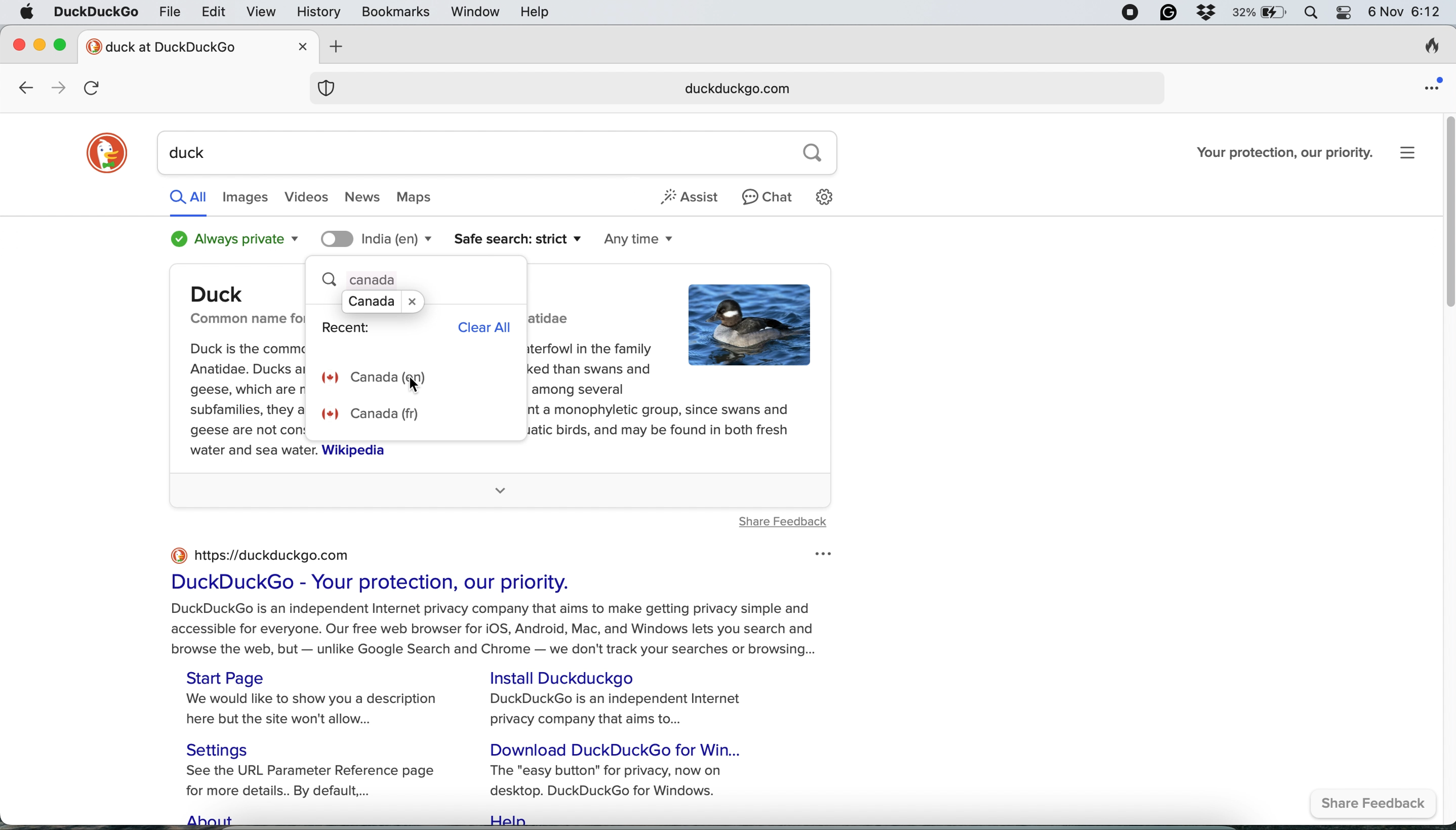  Describe the element at coordinates (813, 153) in the screenshot. I see `search button` at that location.